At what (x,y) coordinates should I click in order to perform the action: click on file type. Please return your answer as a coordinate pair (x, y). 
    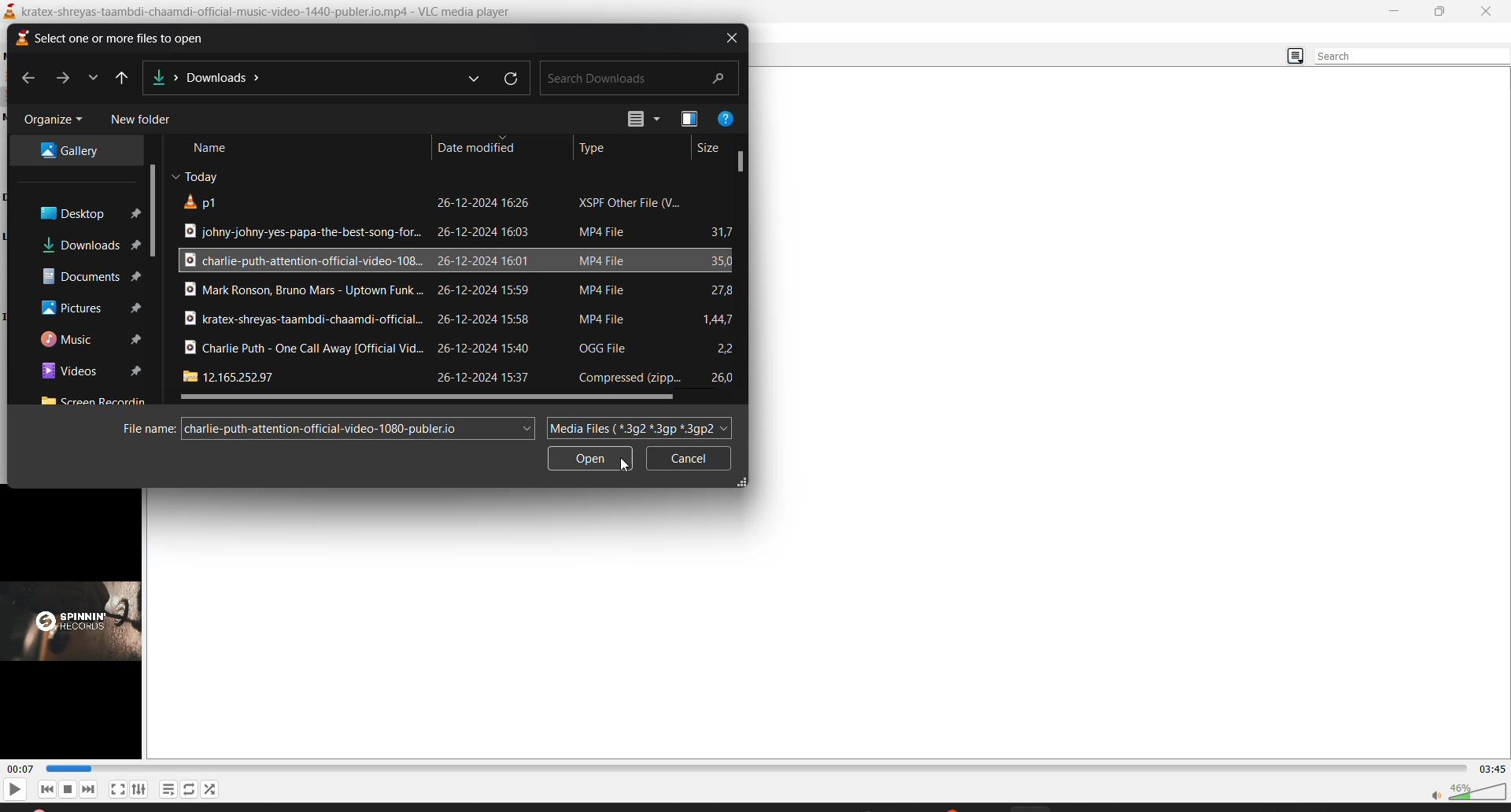
    Looking at the image, I should click on (640, 426).